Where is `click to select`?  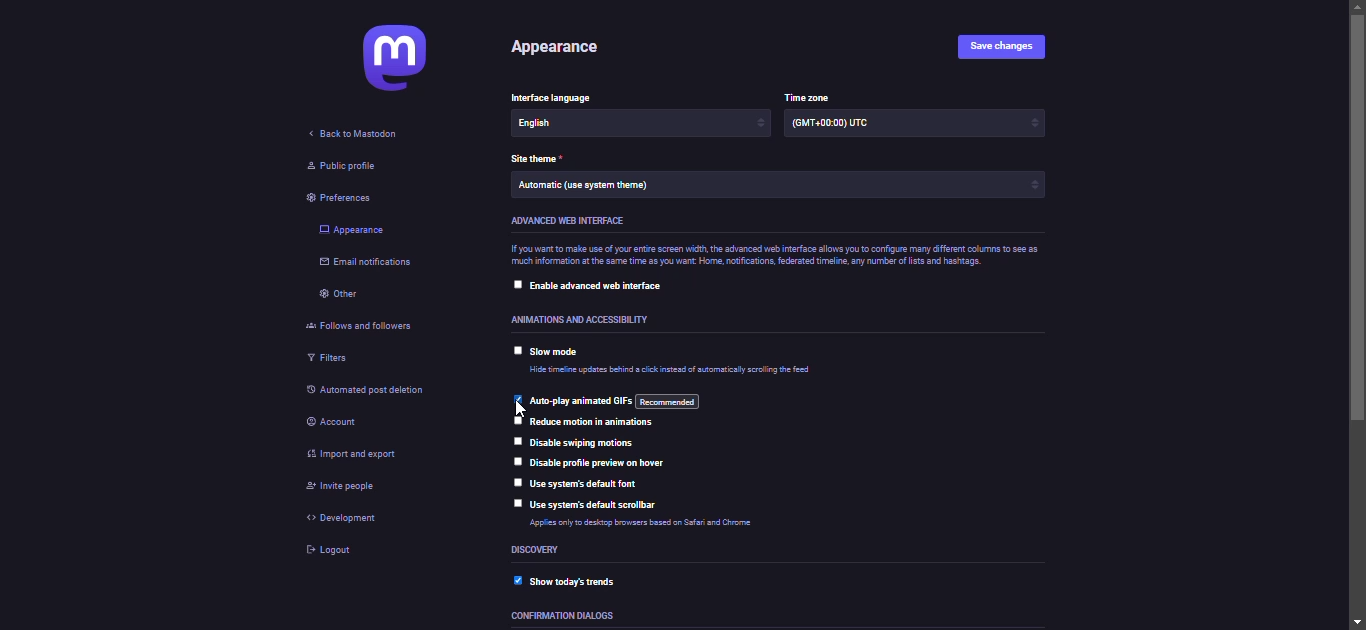
click to select is located at coordinates (513, 480).